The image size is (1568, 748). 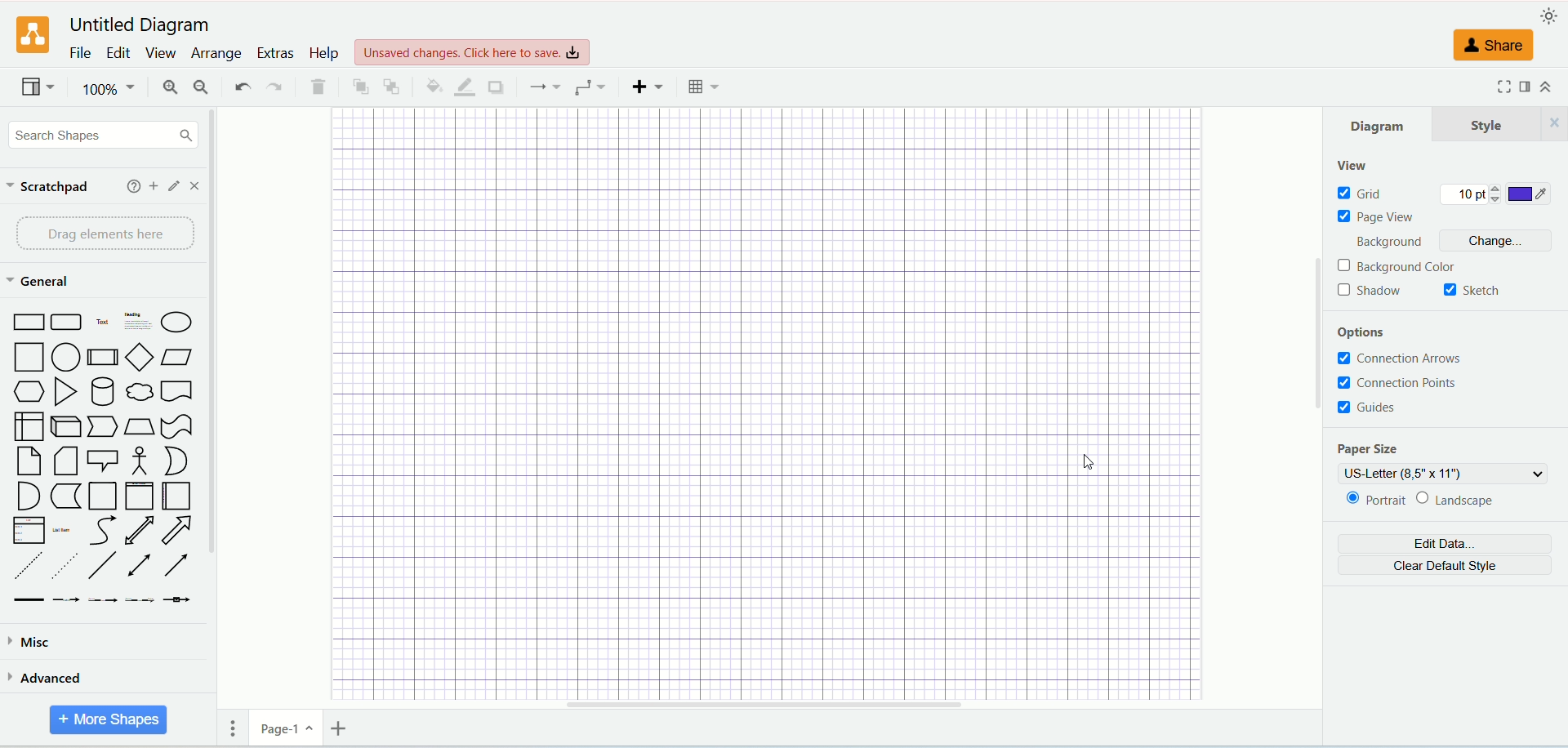 I want to click on appearance, so click(x=1552, y=16).